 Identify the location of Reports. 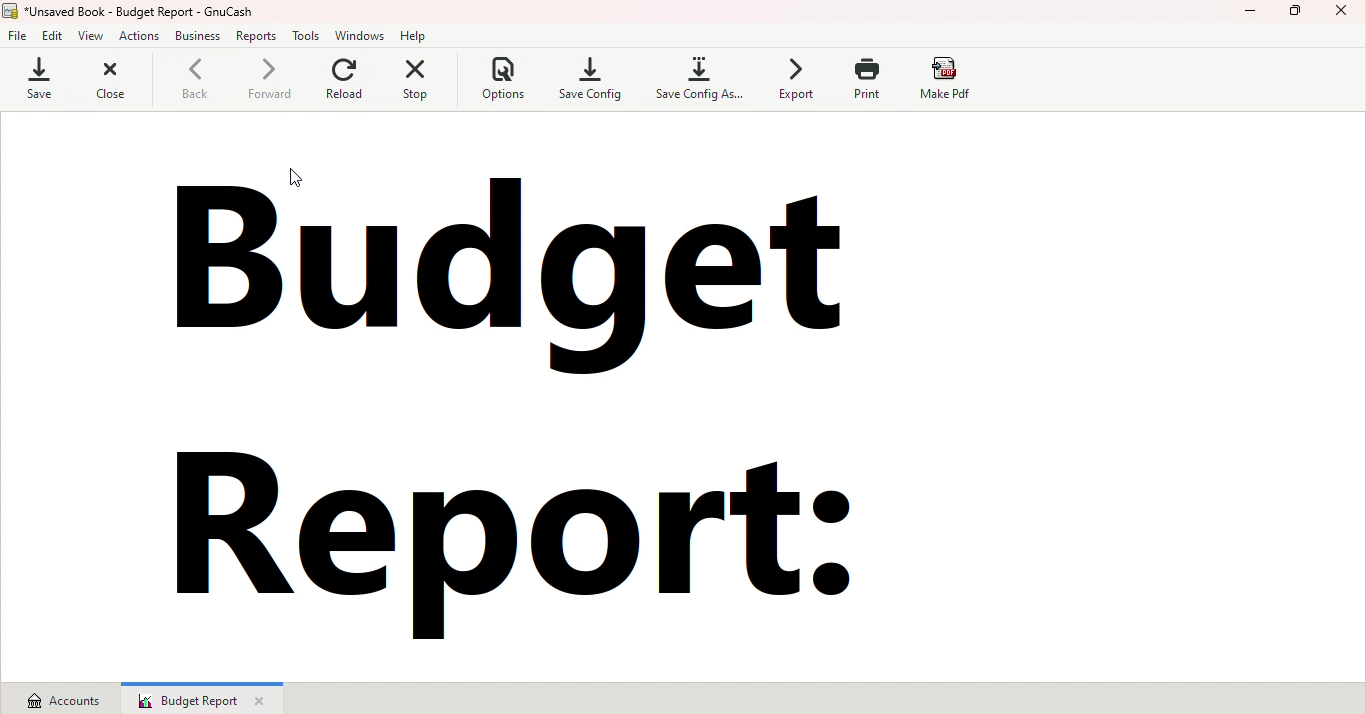
(256, 35).